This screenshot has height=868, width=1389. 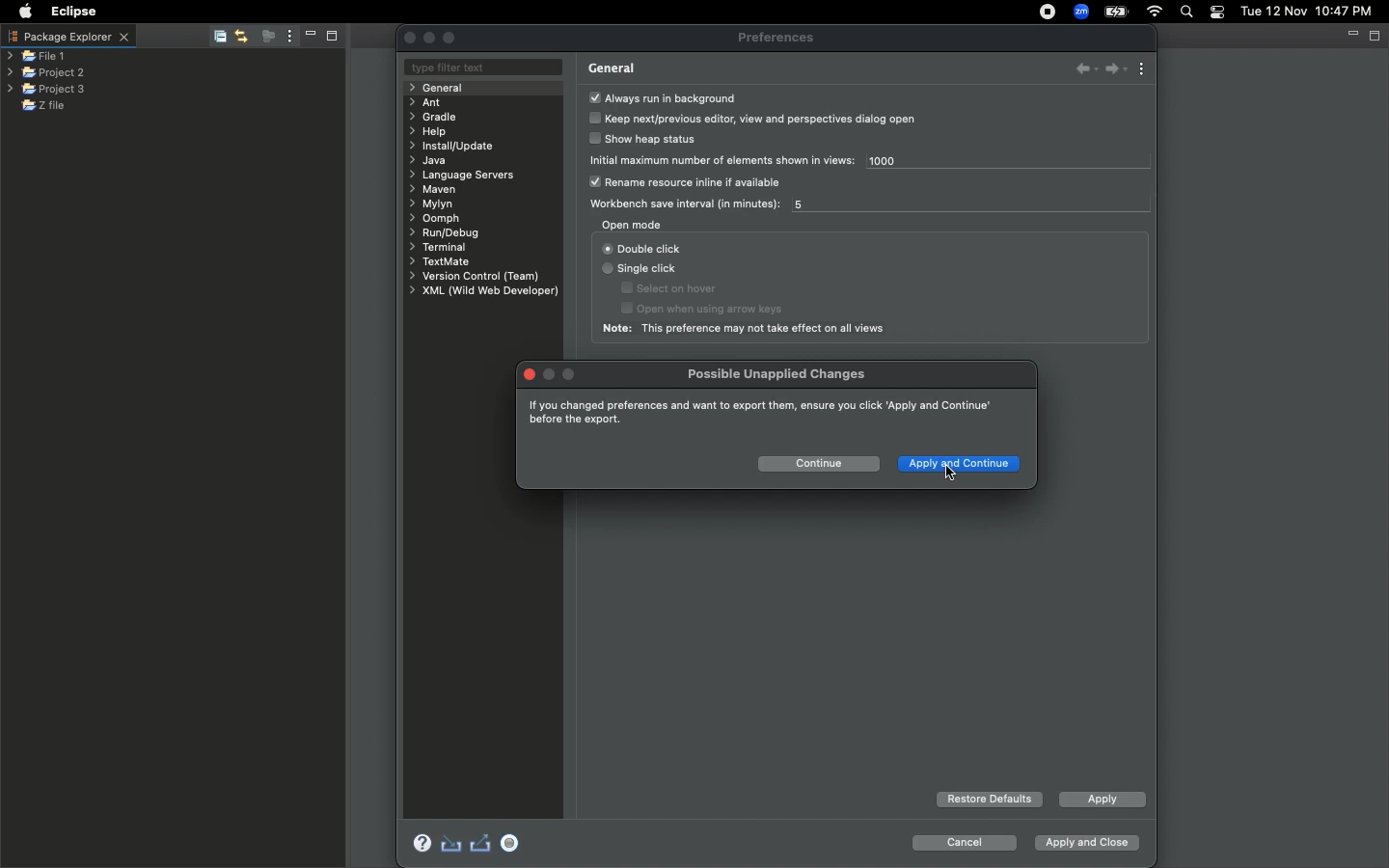 What do you see at coordinates (459, 145) in the screenshot?
I see `Install, update` at bounding box center [459, 145].